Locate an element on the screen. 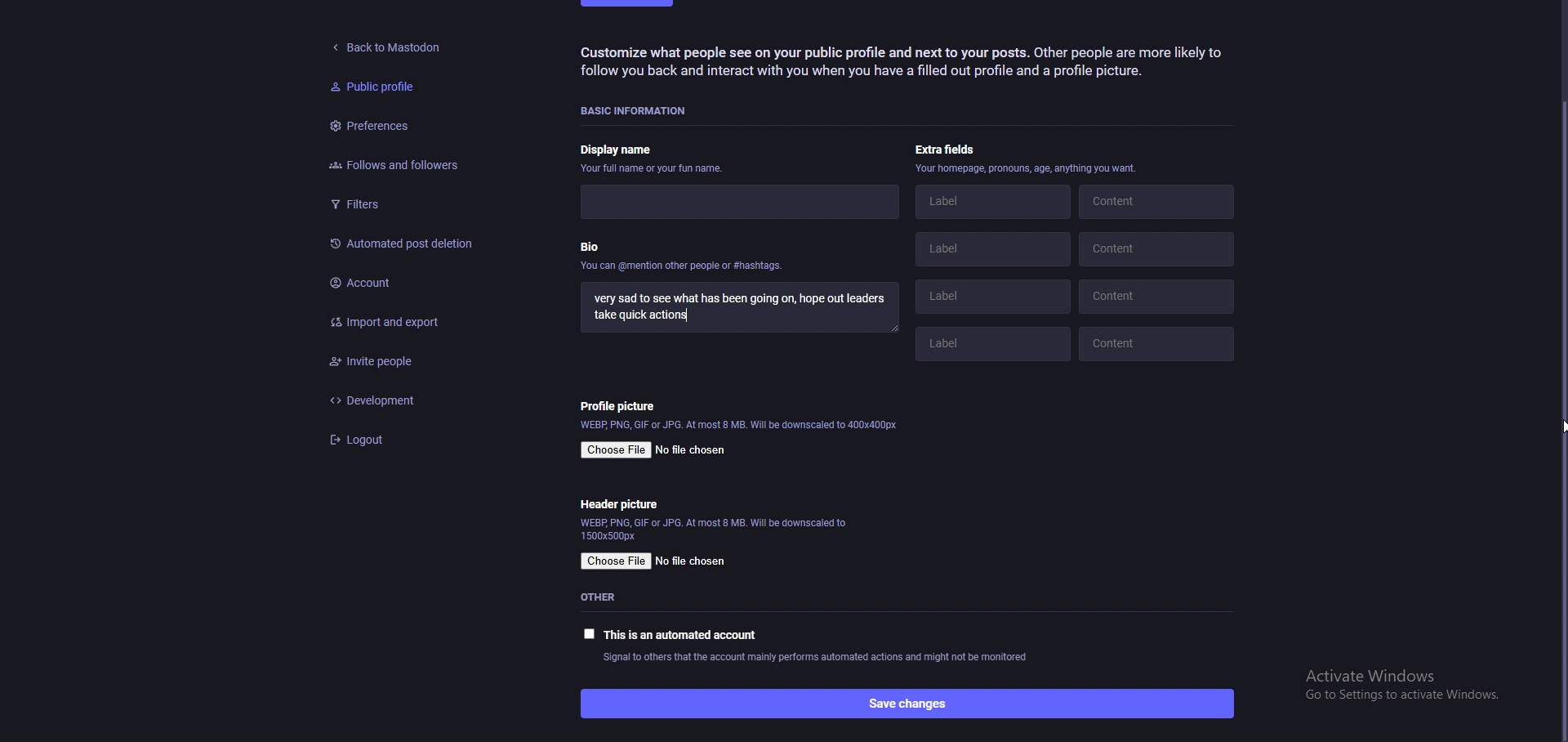 The image size is (1568, 742). label is located at coordinates (987, 347).